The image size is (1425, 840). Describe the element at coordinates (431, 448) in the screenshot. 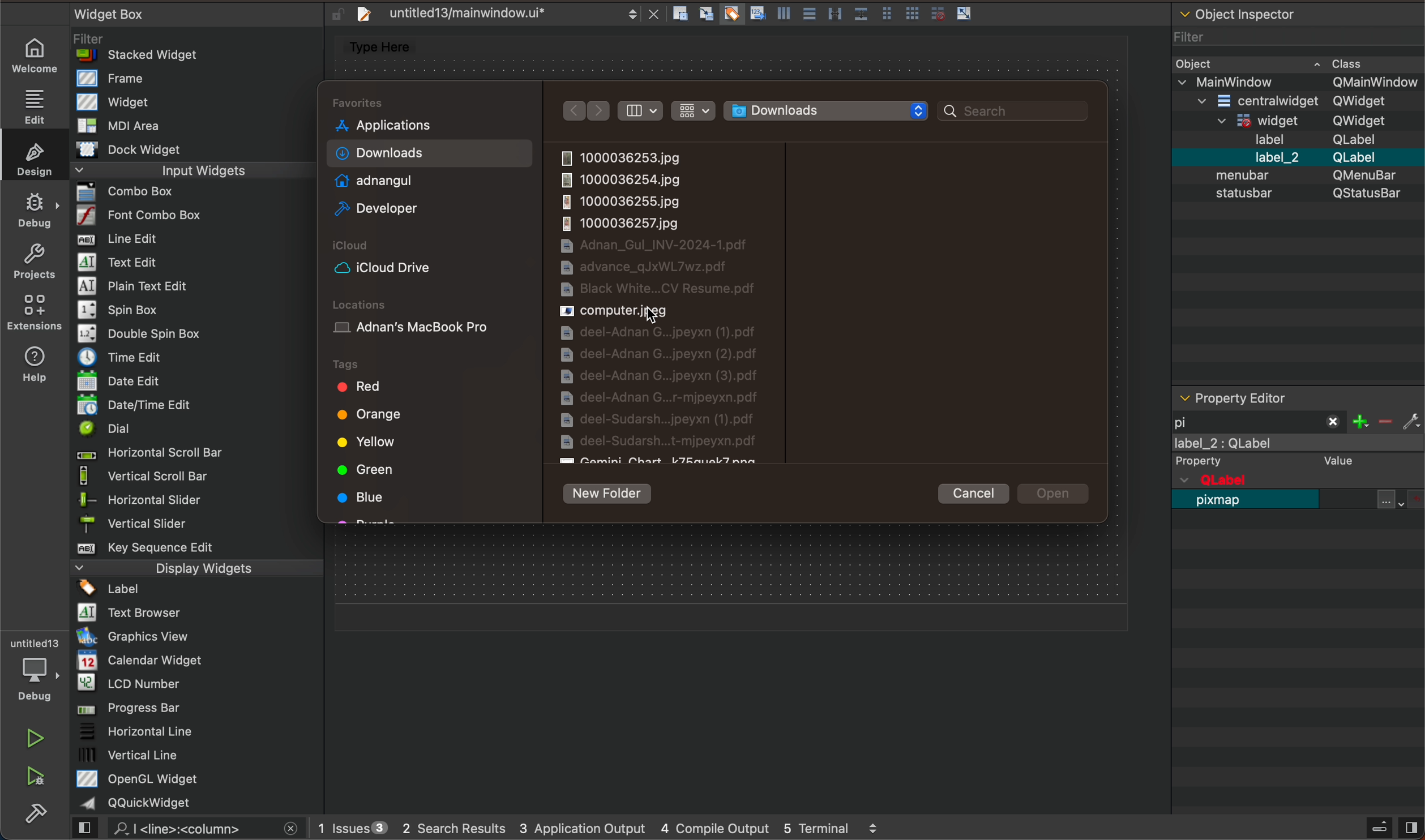

I see `tags` at that location.